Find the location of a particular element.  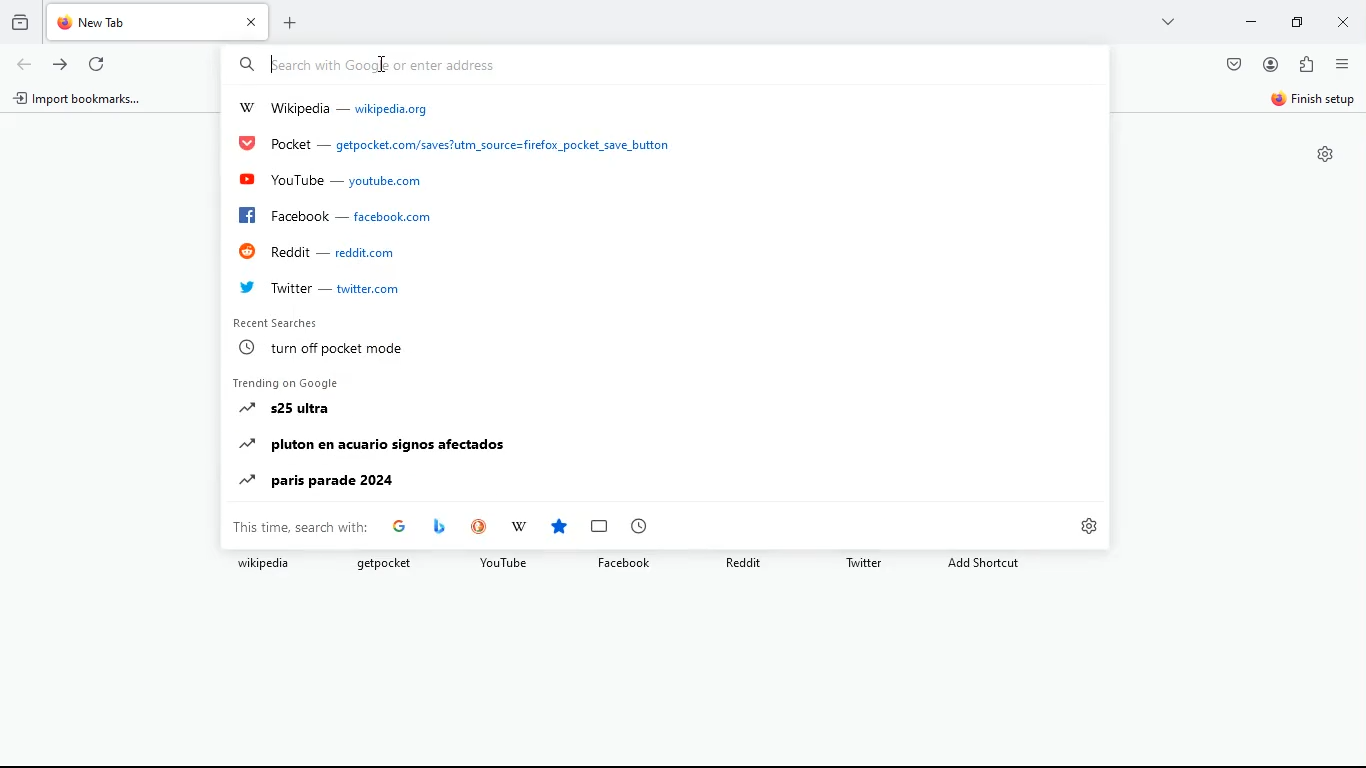

Google is located at coordinates (400, 526).